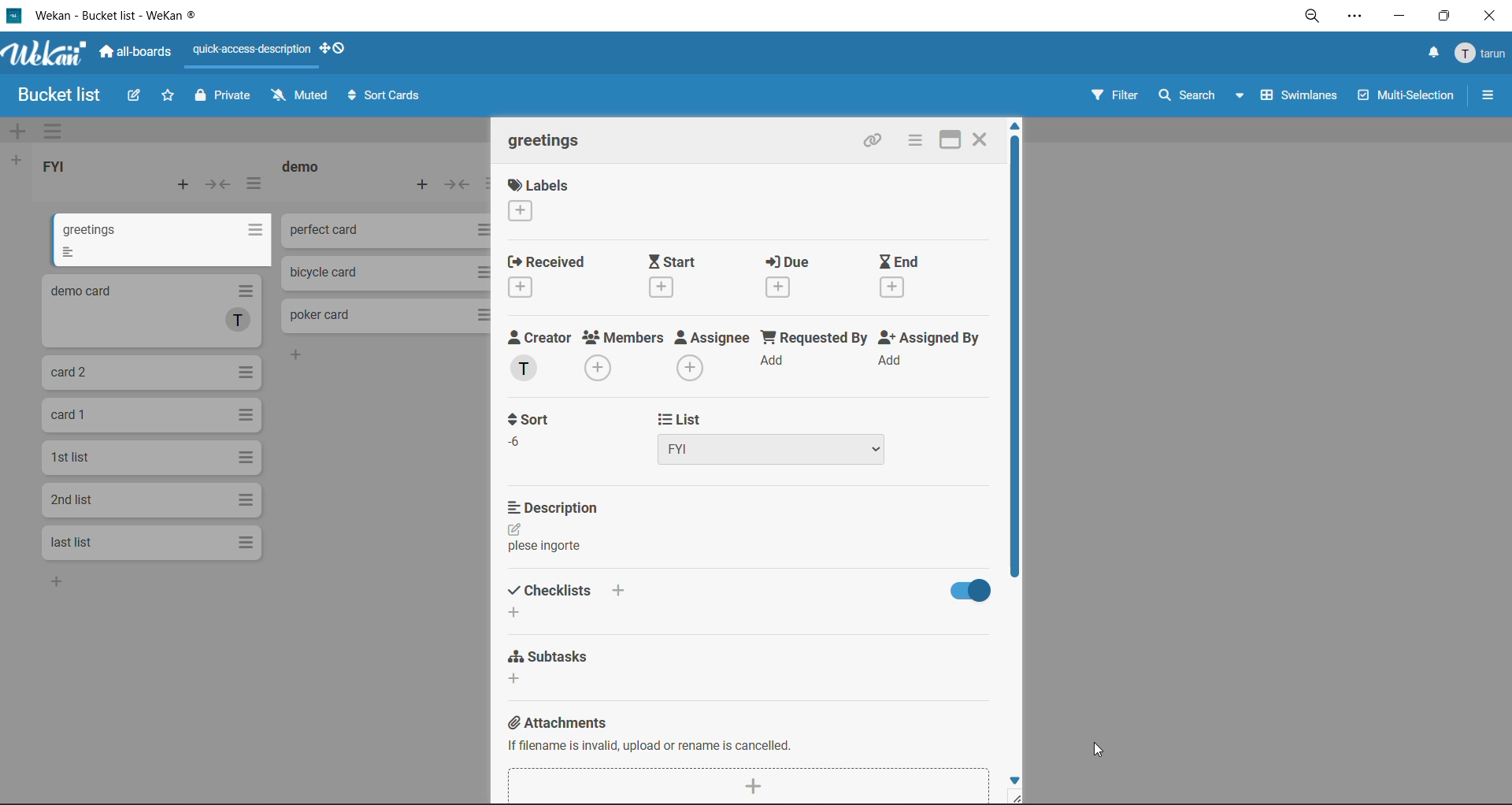 The width and height of the screenshot is (1512, 805). Describe the element at coordinates (1359, 17) in the screenshot. I see `settings` at that location.